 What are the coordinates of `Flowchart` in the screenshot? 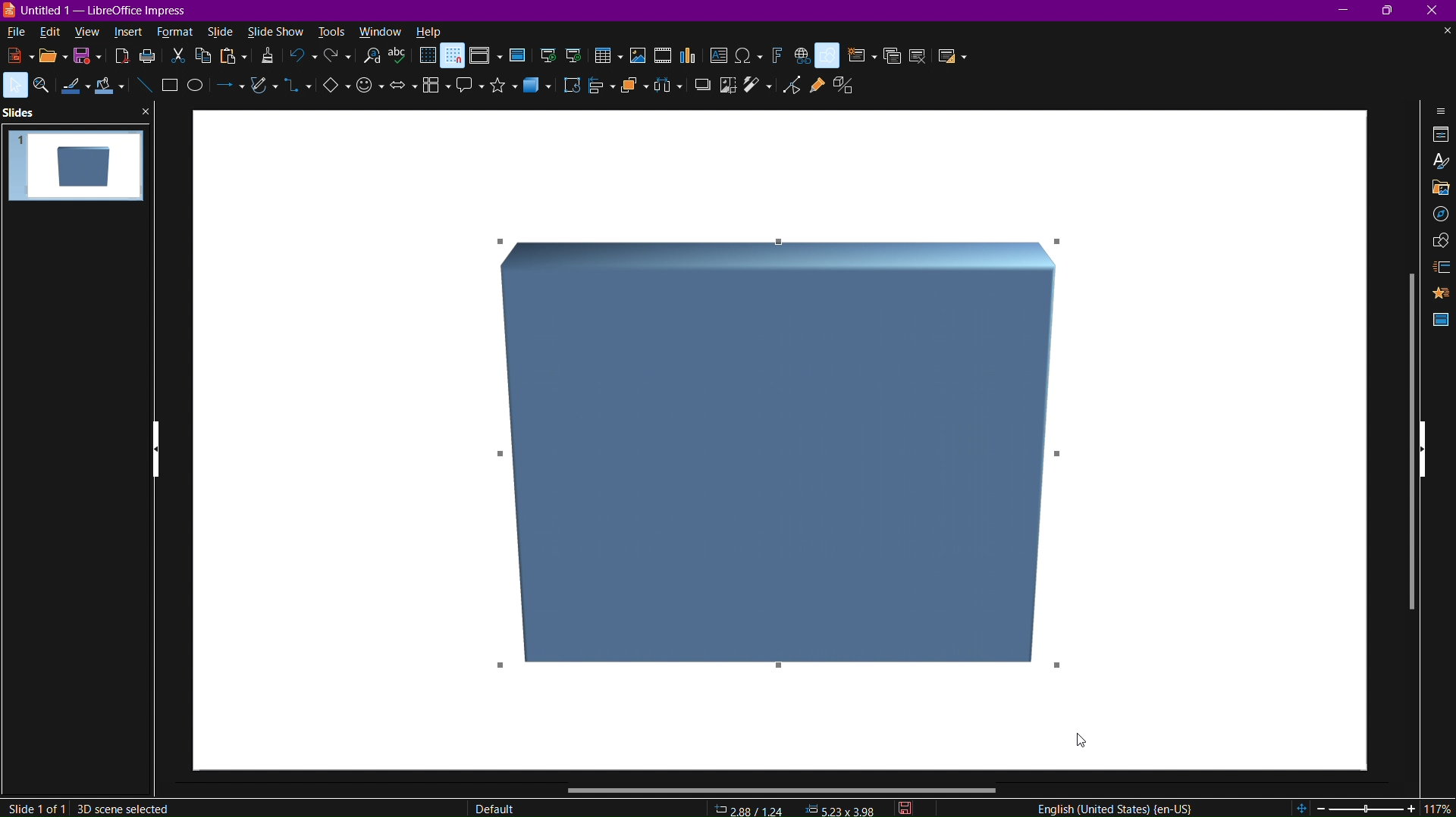 It's located at (431, 89).